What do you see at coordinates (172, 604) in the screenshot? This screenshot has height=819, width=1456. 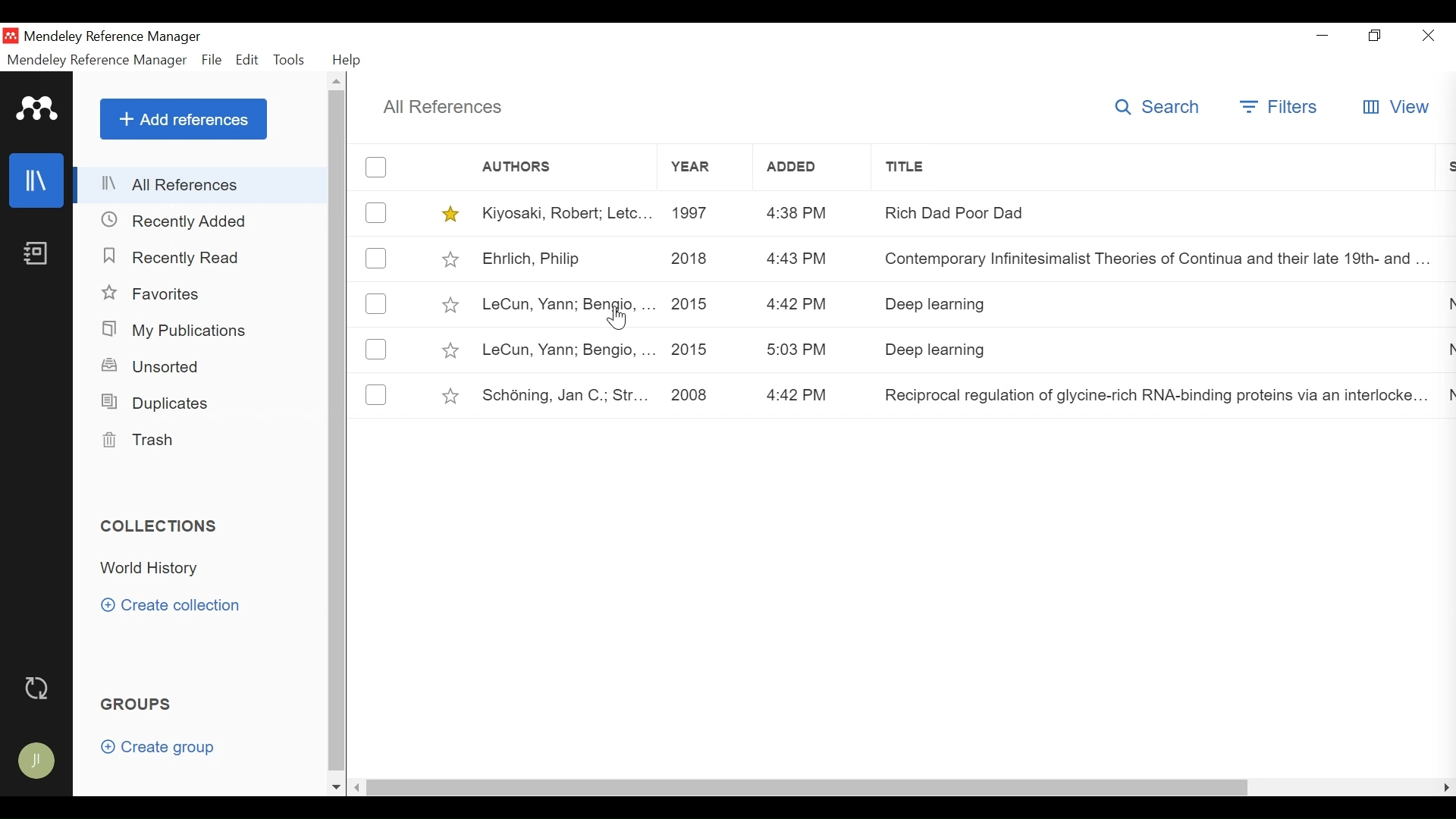 I see `Create category` at bounding box center [172, 604].